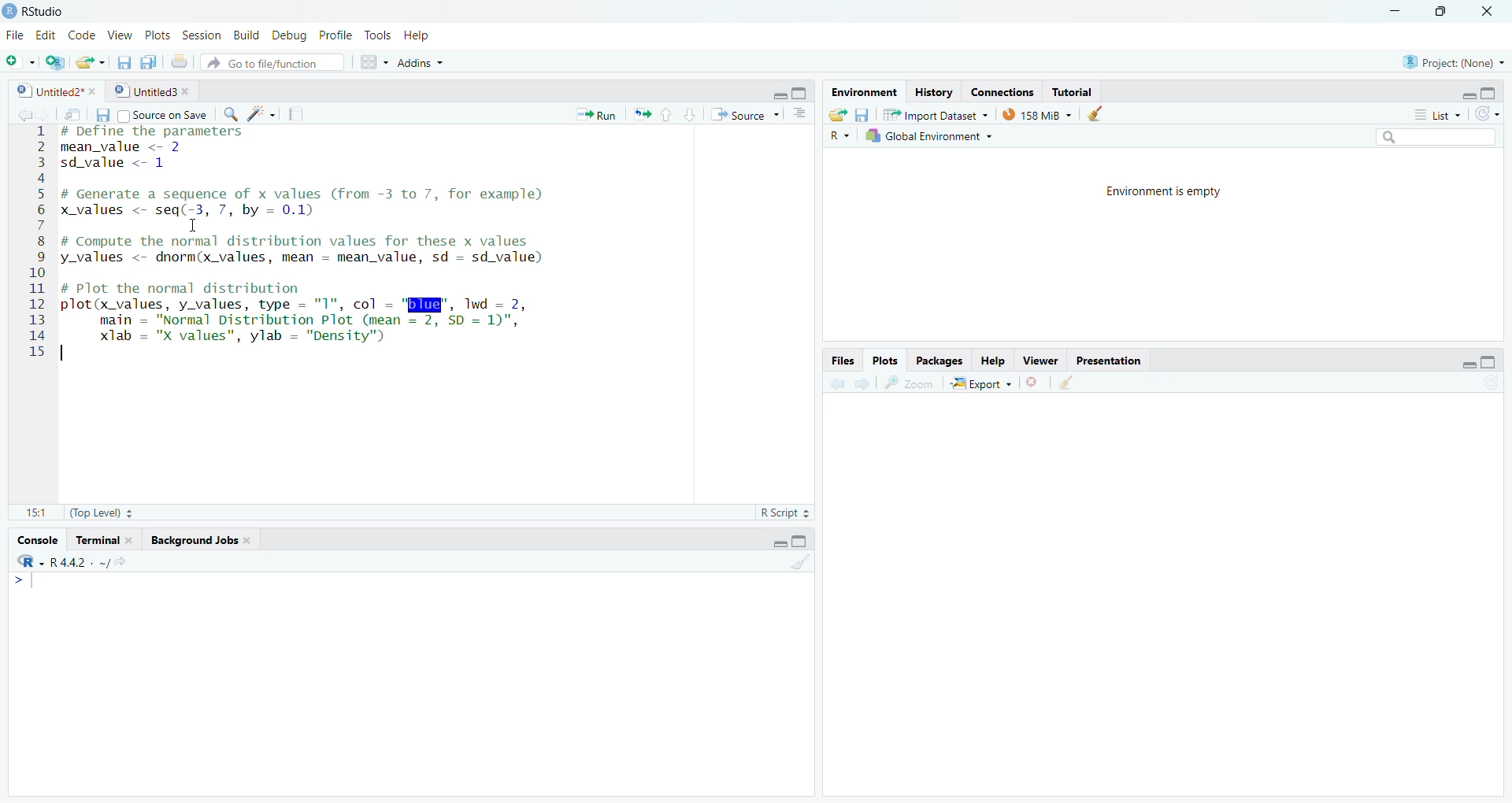 The height and width of the screenshot is (803, 1512). What do you see at coordinates (1492, 12) in the screenshot?
I see `close` at bounding box center [1492, 12].